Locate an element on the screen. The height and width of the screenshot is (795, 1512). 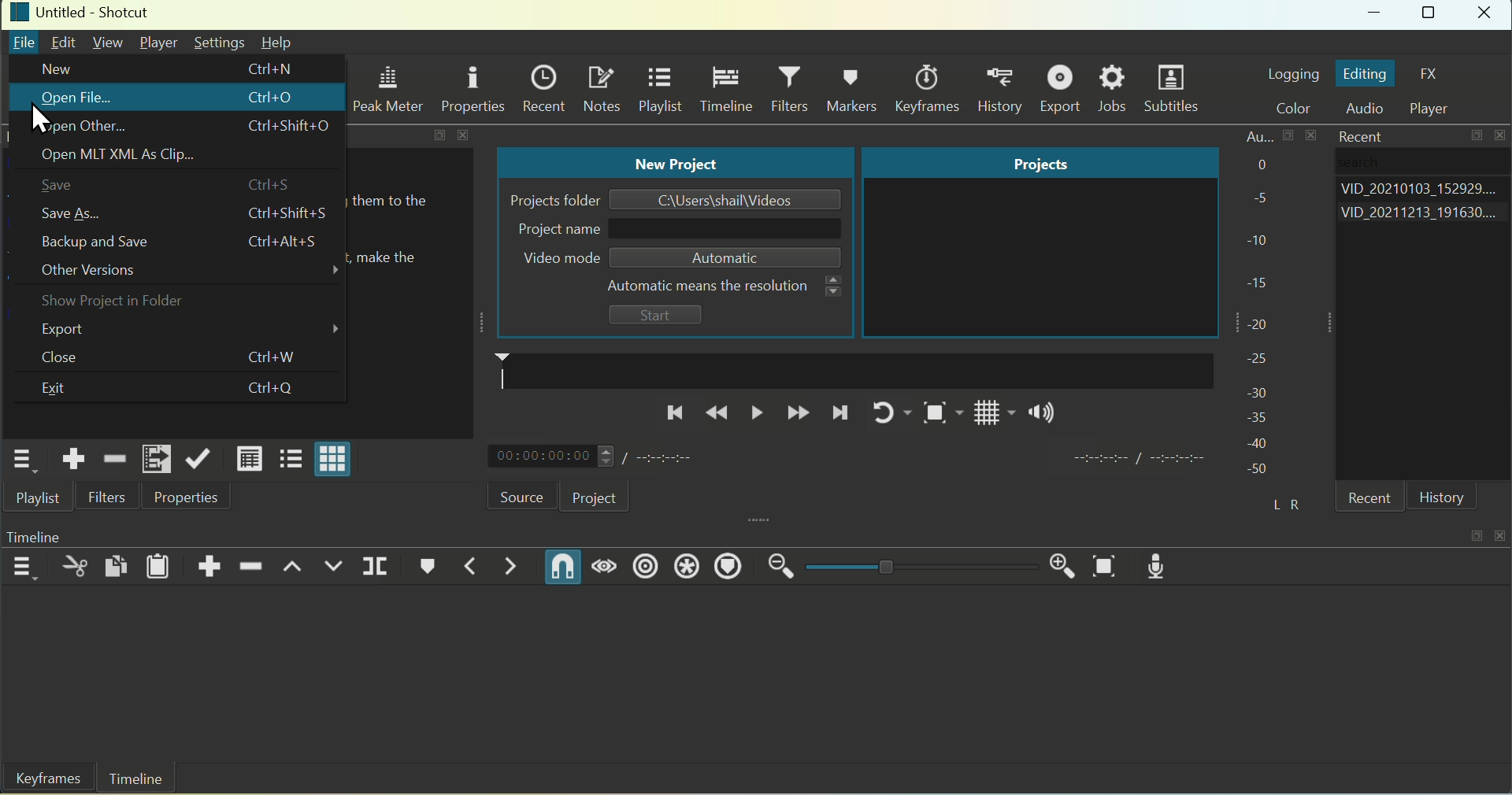
Append is located at coordinates (212, 563).